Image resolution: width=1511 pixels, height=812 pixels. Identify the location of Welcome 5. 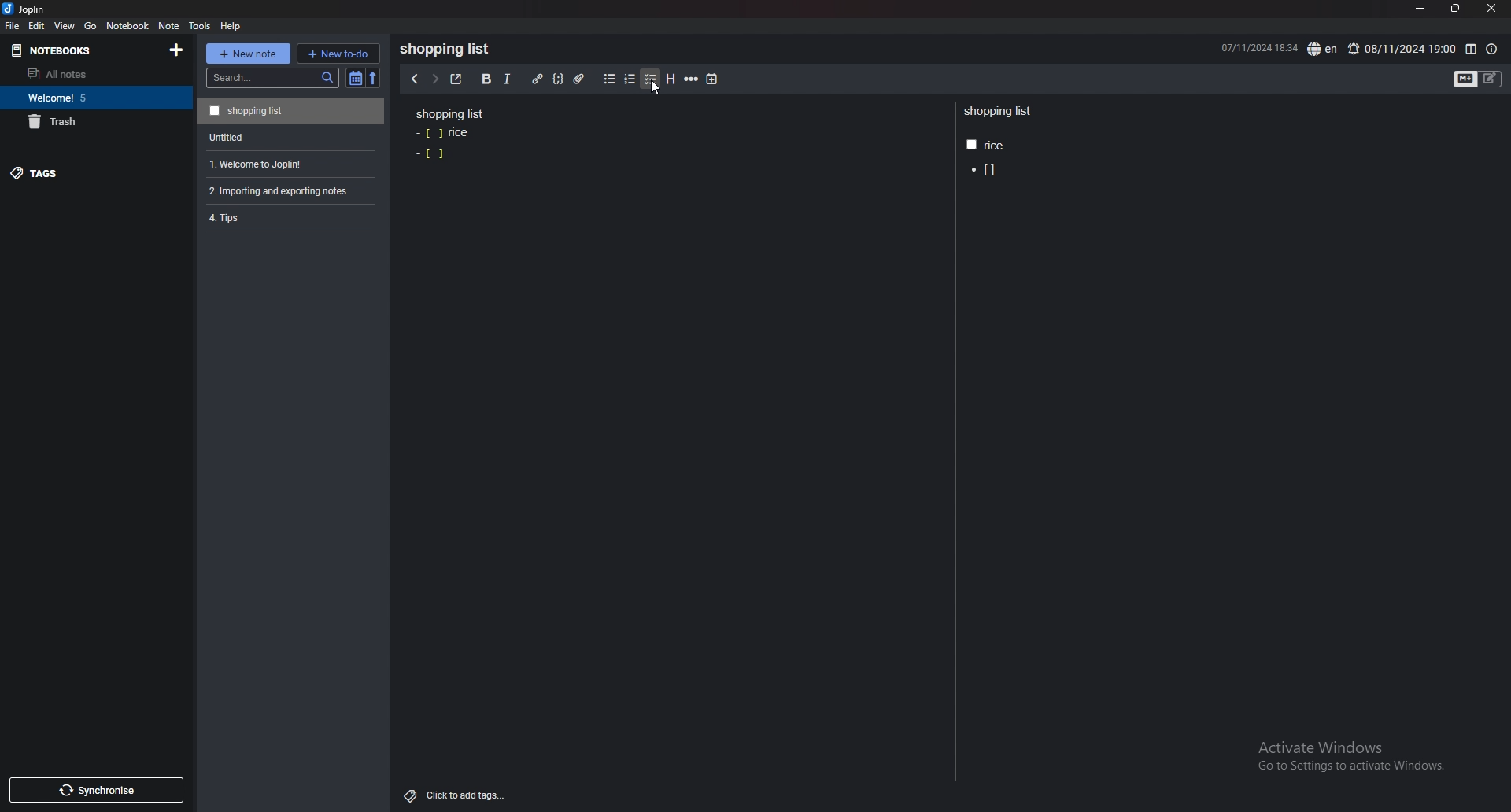
(92, 97).